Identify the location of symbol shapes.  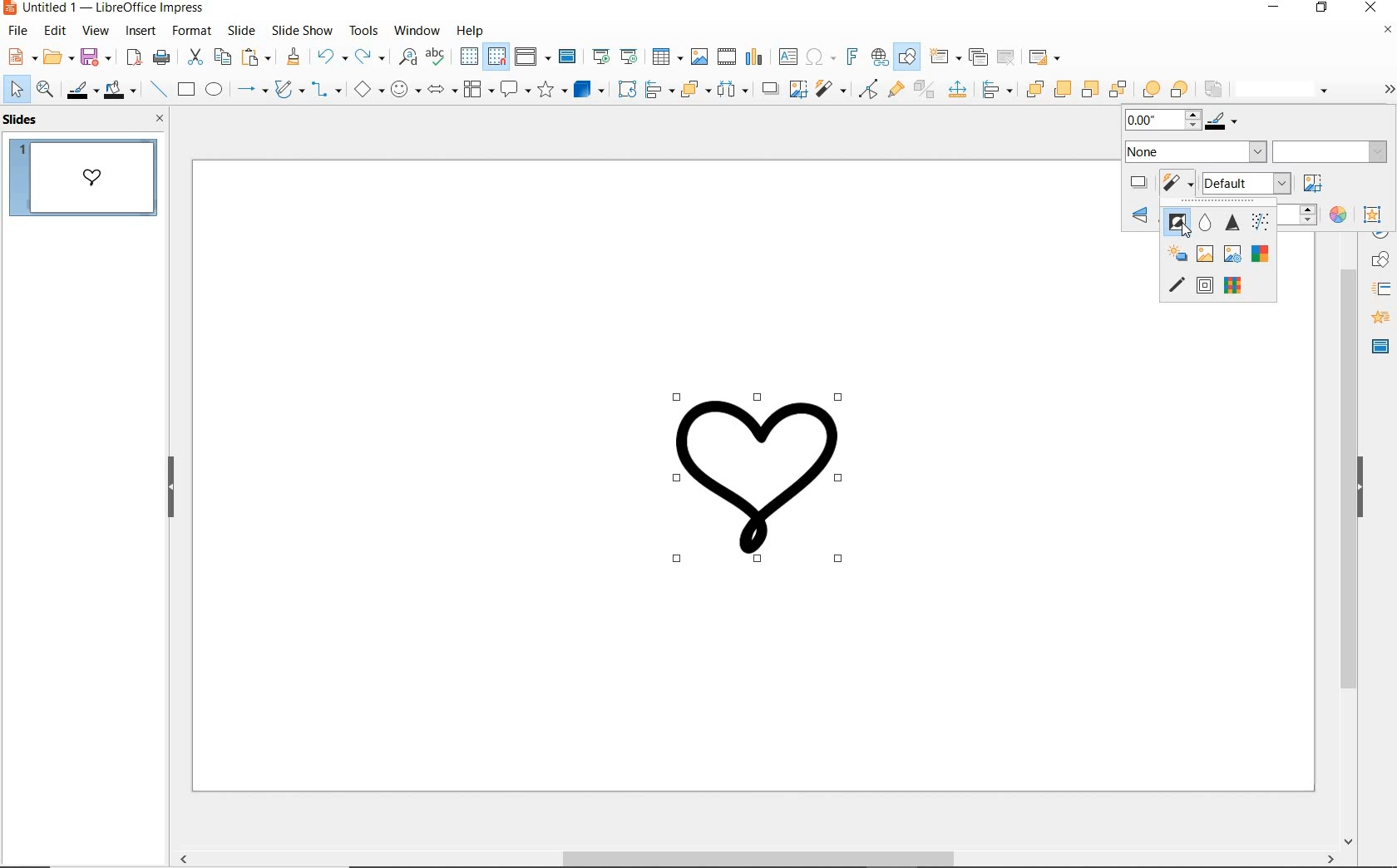
(406, 91).